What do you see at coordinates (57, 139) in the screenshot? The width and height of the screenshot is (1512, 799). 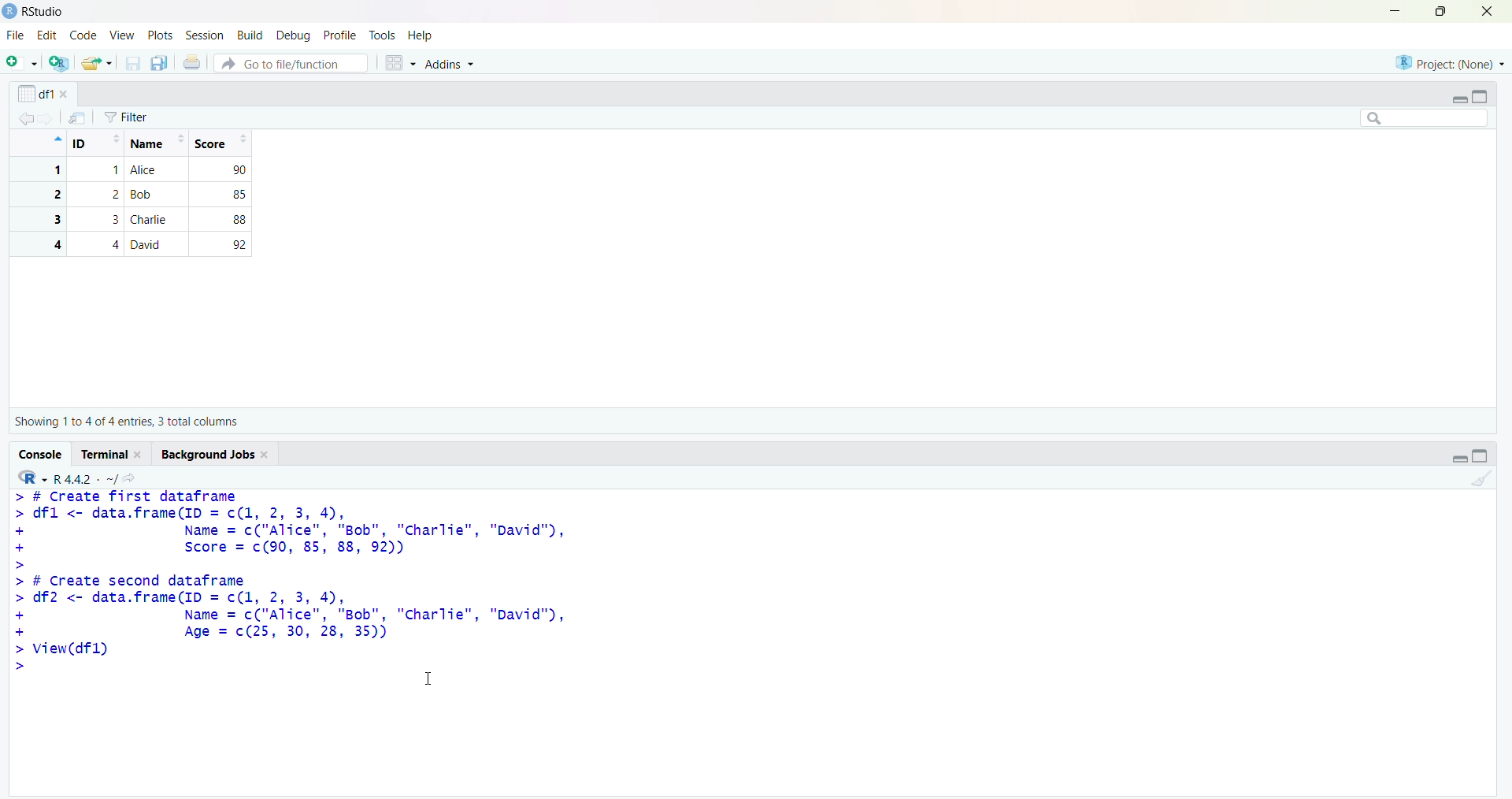 I see `icon` at bounding box center [57, 139].